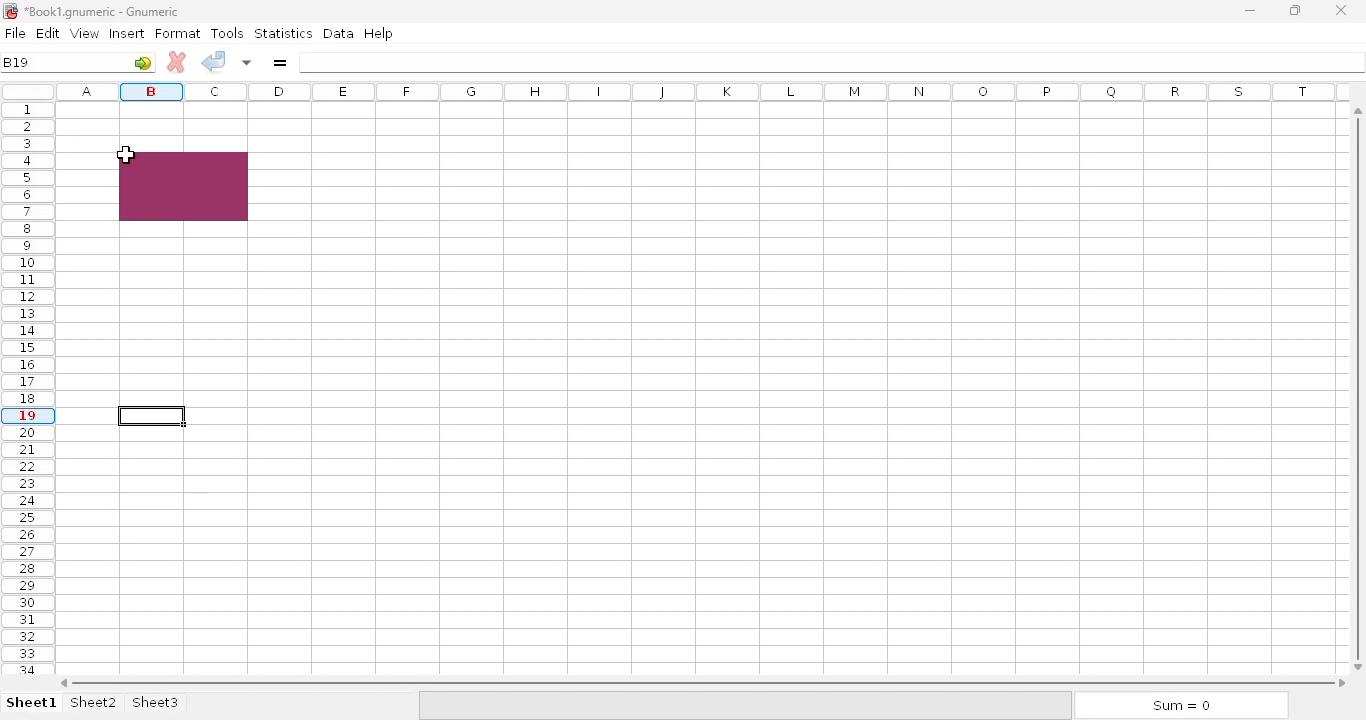  What do you see at coordinates (1357, 389) in the screenshot?
I see `vertical scroll bar` at bounding box center [1357, 389].